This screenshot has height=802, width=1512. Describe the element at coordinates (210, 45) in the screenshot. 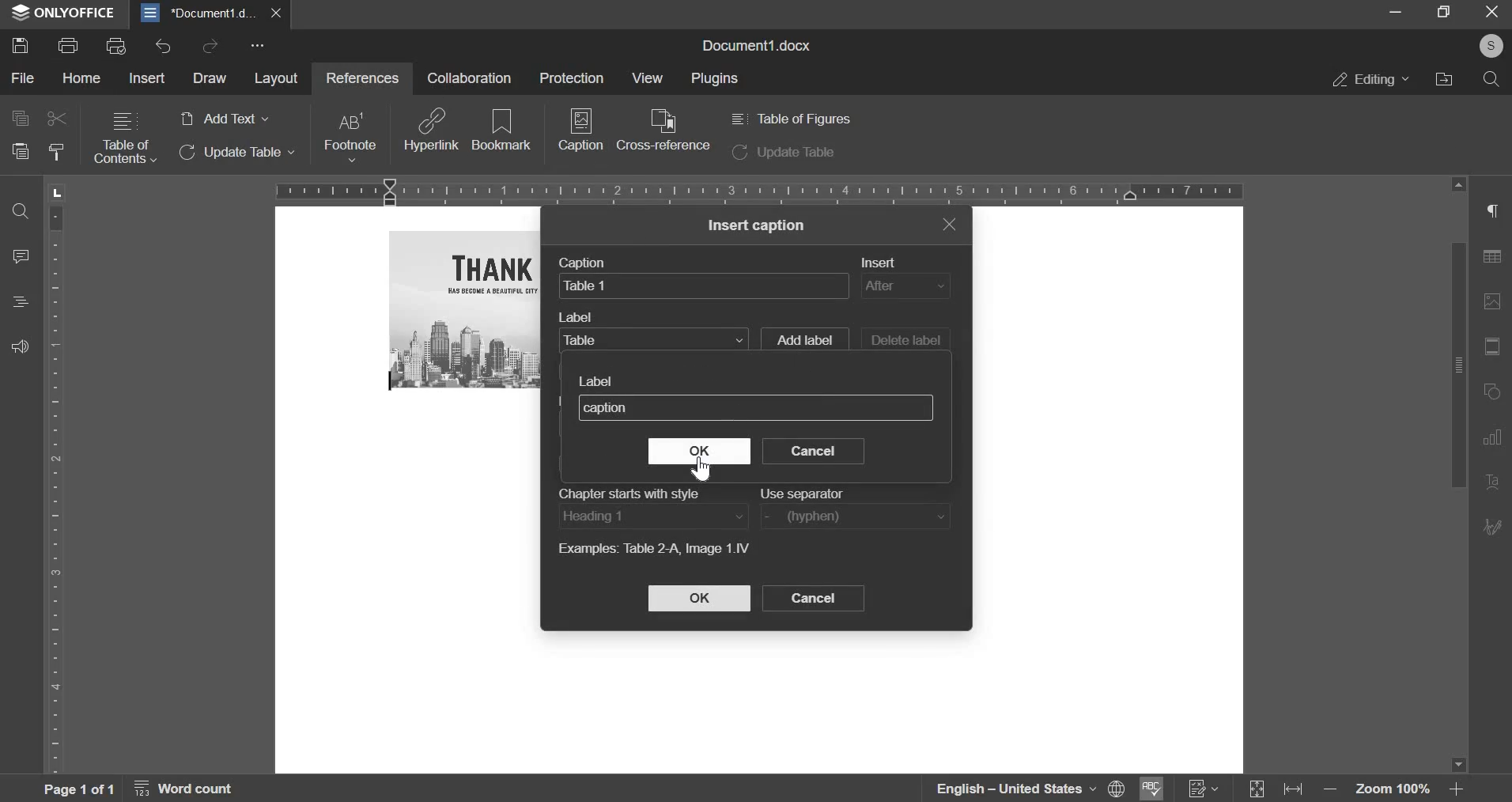

I see `redo` at that location.